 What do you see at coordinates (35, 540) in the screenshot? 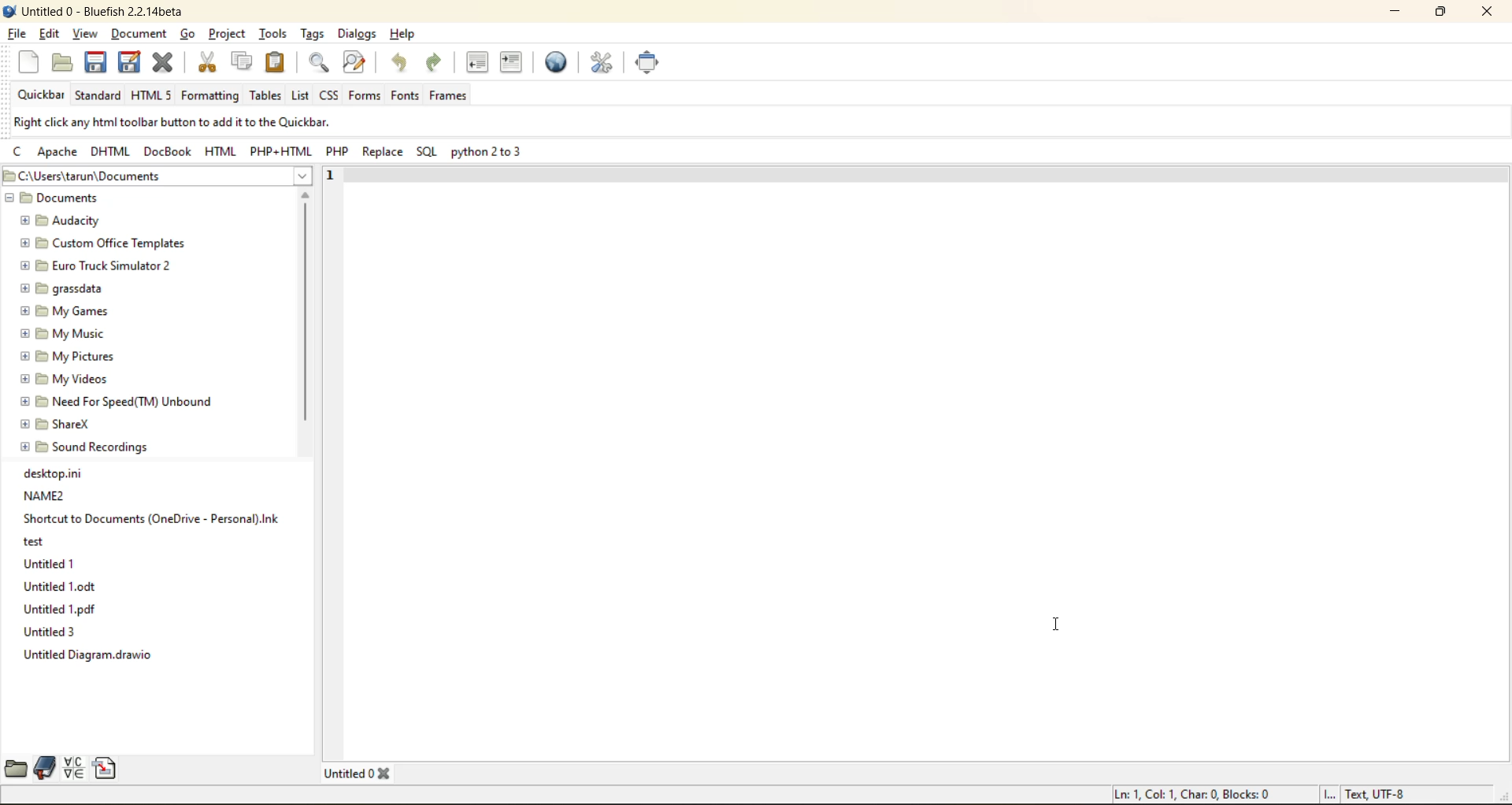
I see `test` at bounding box center [35, 540].